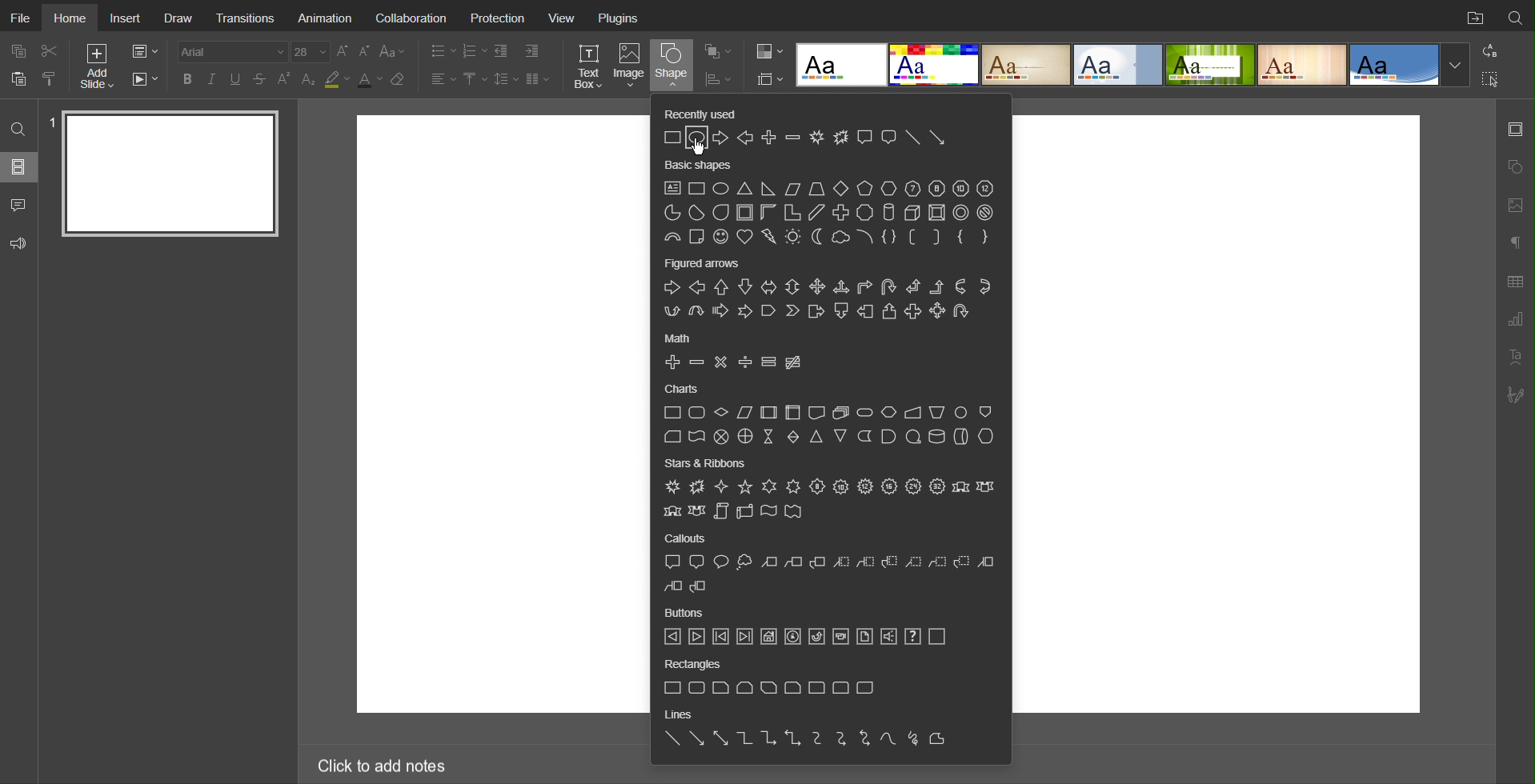 The width and height of the screenshot is (1535, 784). I want to click on Protection, so click(493, 16).